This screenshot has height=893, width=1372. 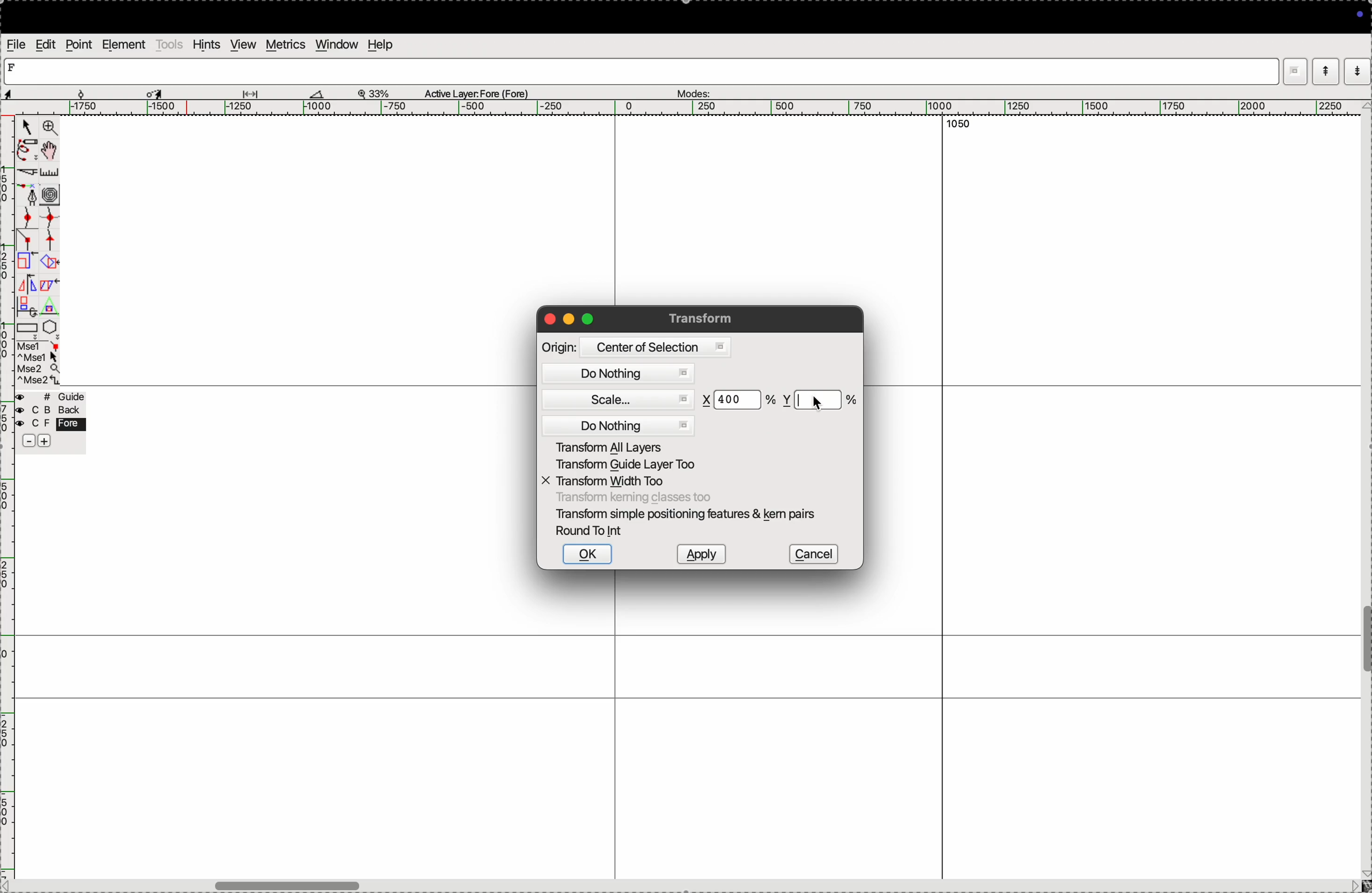 What do you see at coordinates (587, 554) in the screenshot?
I see `ok` at bounding box center [587, 554].